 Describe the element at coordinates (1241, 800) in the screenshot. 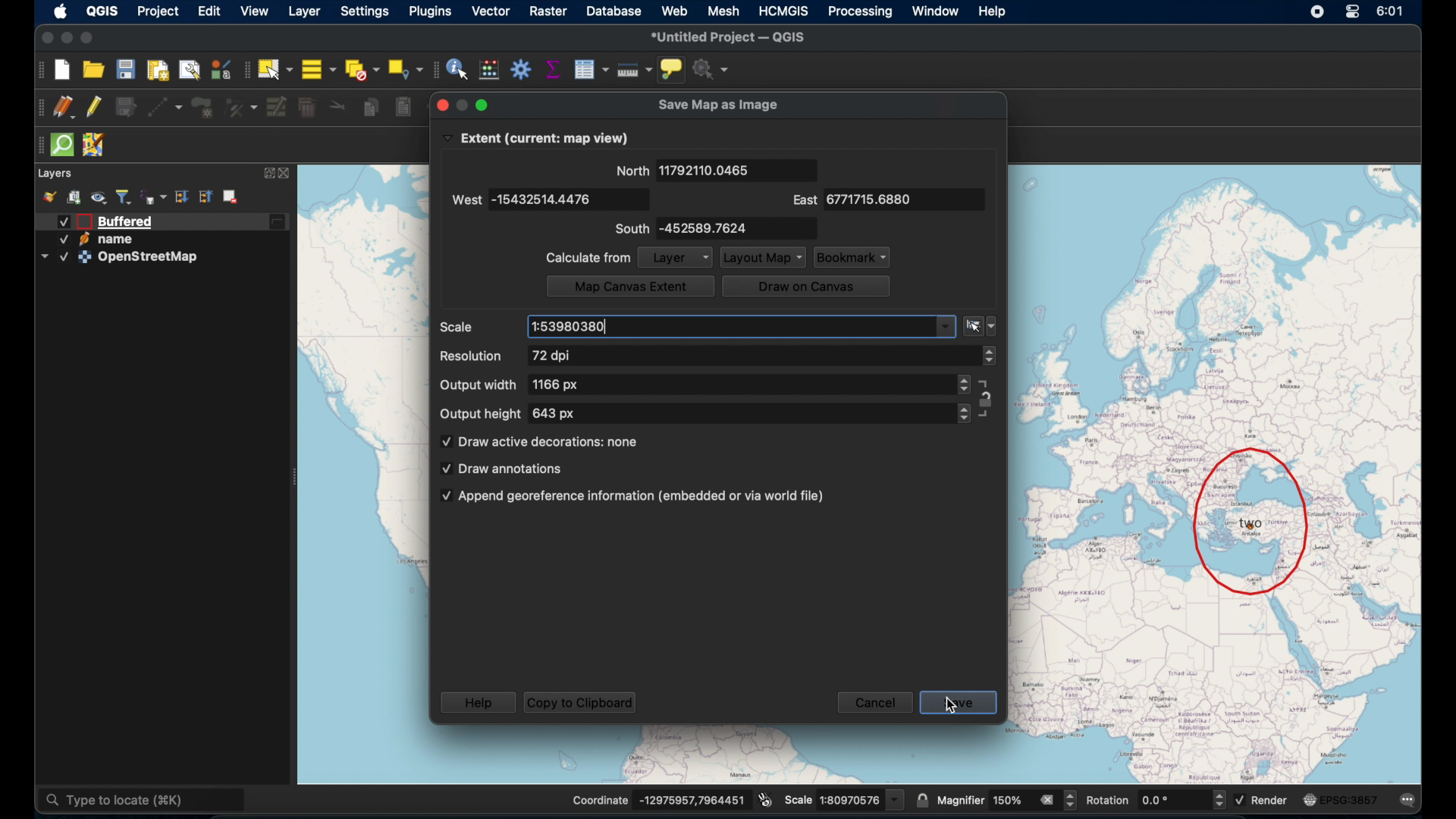

I see `Checked checkbox` at that location.